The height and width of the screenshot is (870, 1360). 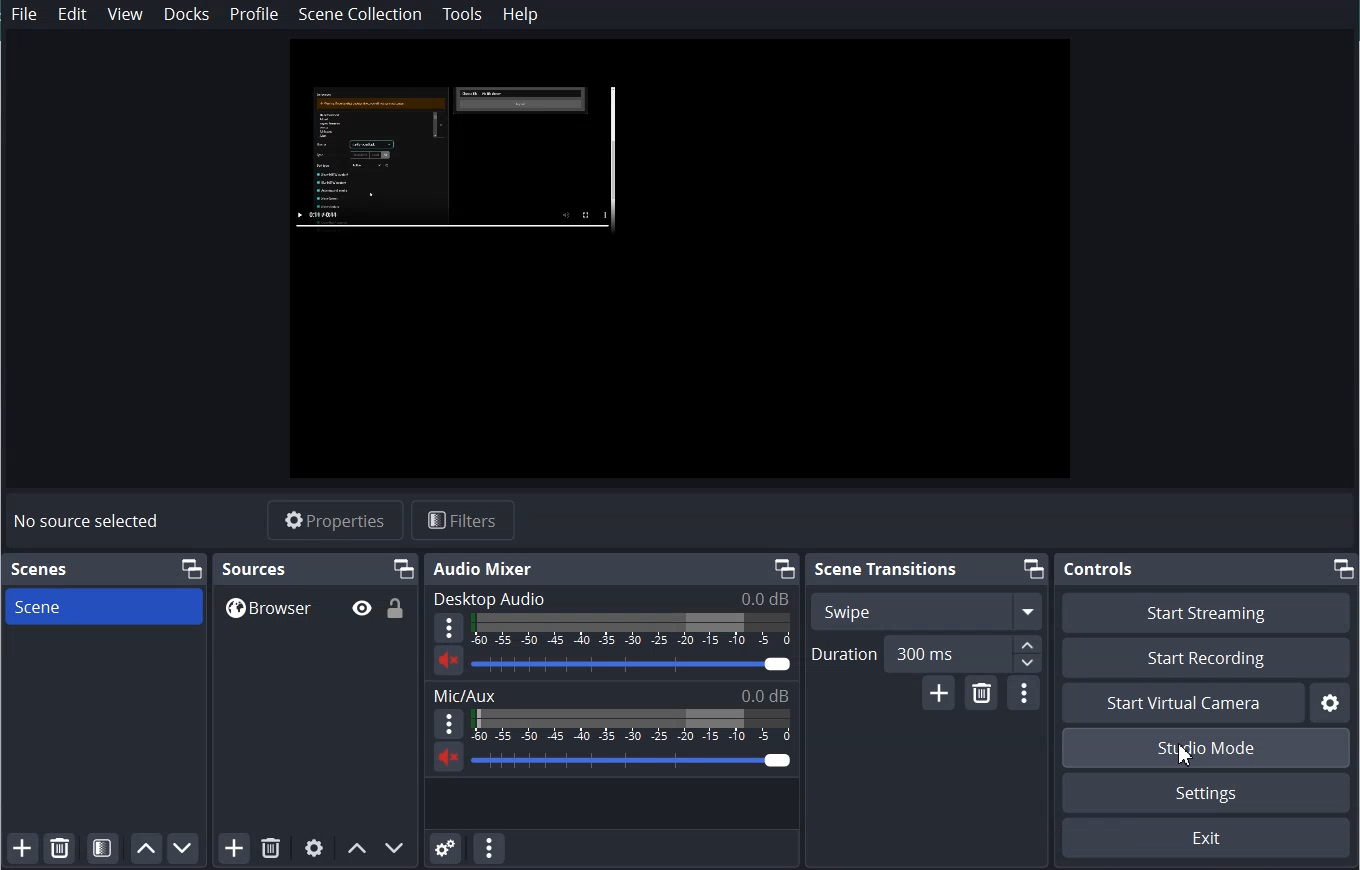 What do you see at coordinates (271, 848) in the screenshot?
I see `Remove selected Source` at bounding box center [271, 848].